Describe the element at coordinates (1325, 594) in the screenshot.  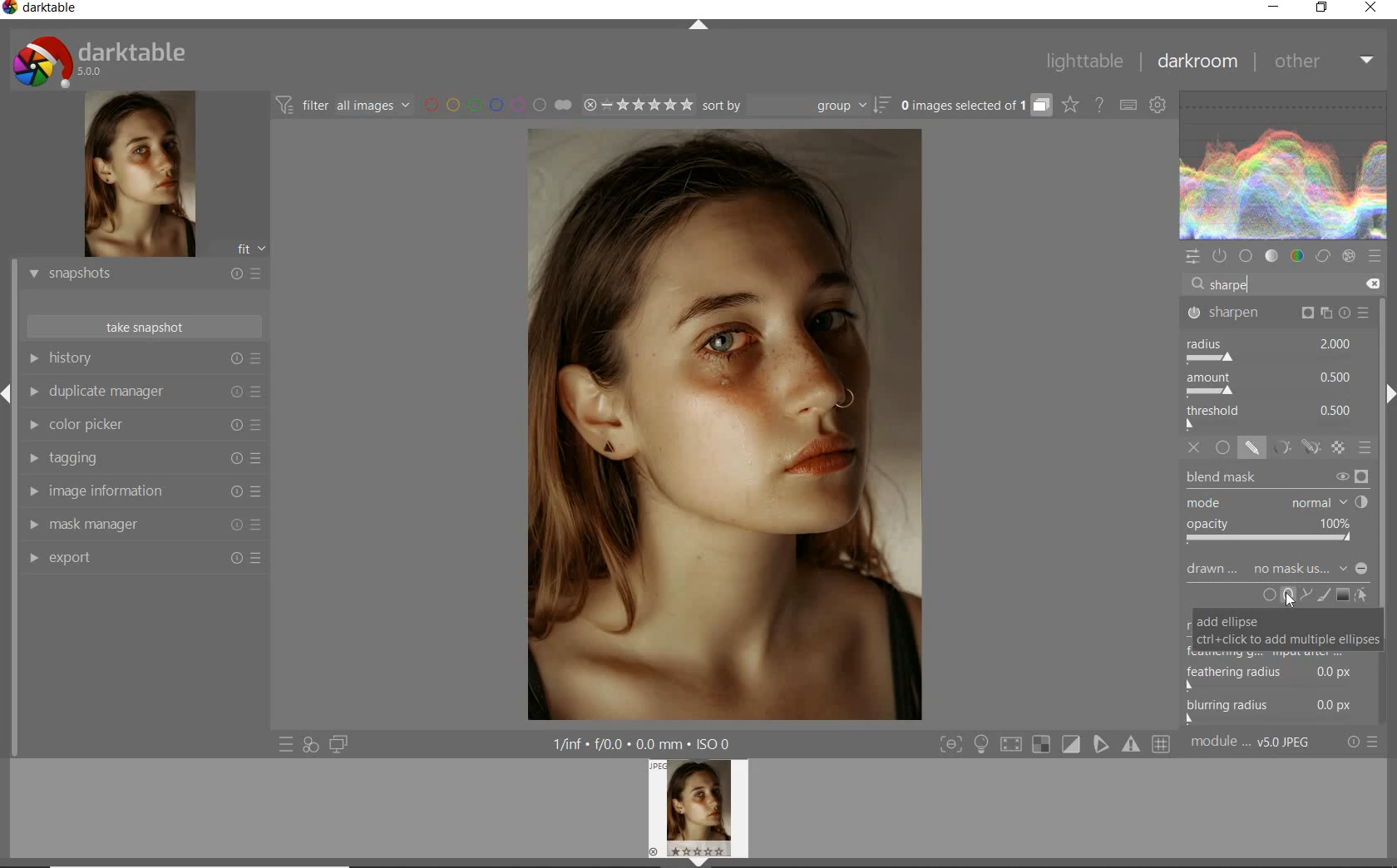
I see `ADD BRUSH` at that location.